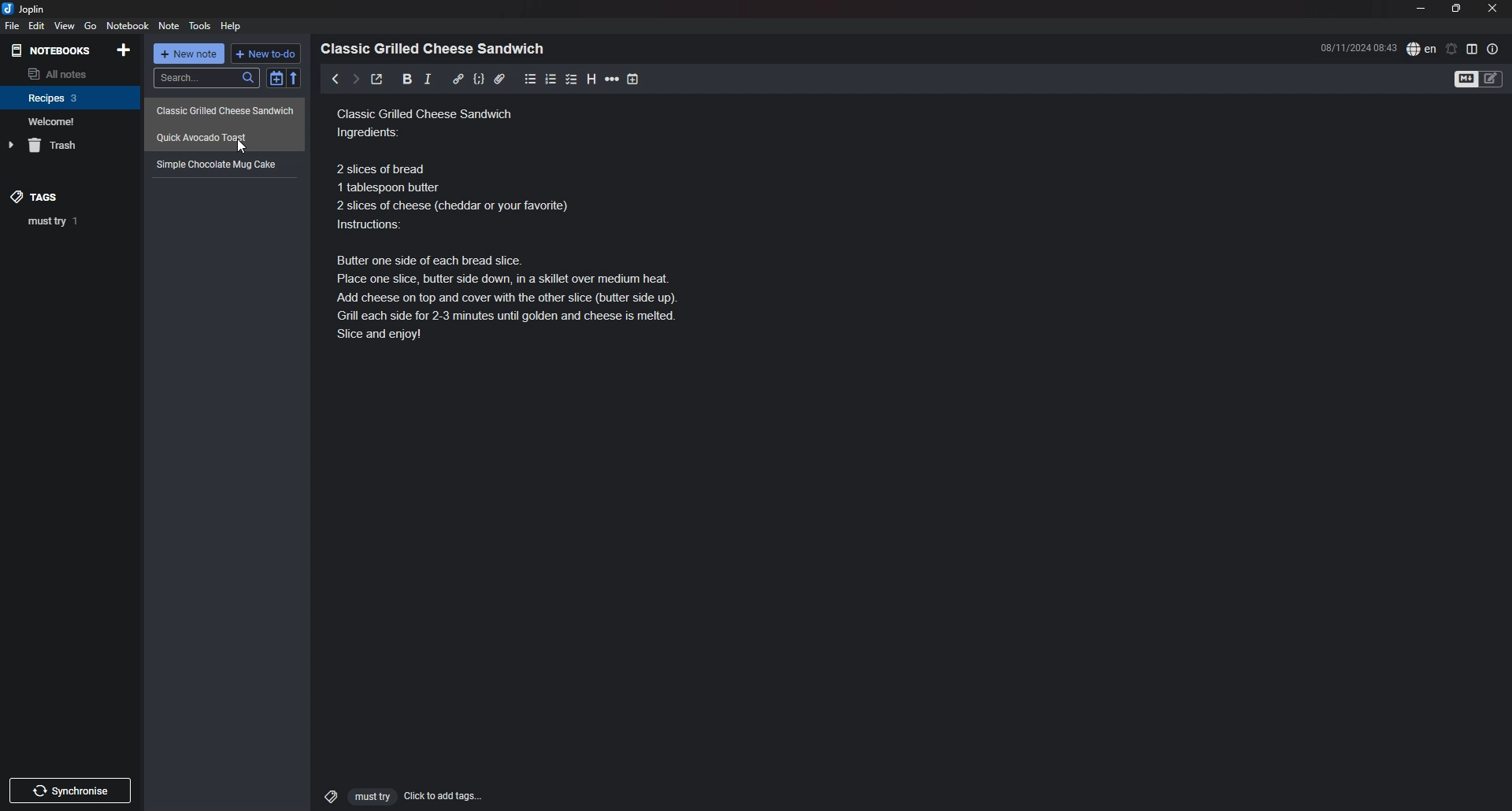  Describe the element at coordinates (635, 79) in the screenshot. I see `add time` at that location.